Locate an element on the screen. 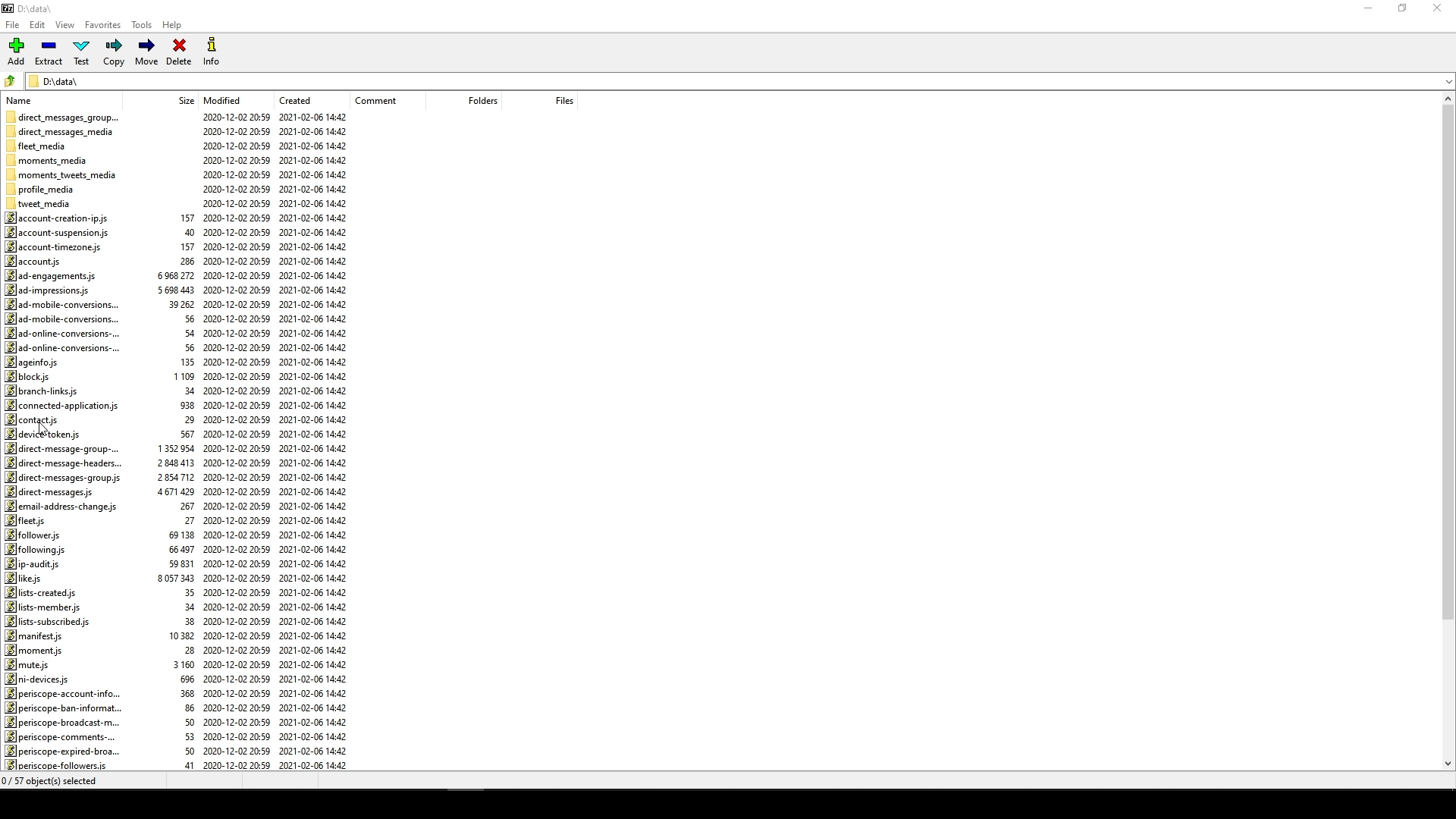  periscope-followers.js is located at coordinates (58, 765).